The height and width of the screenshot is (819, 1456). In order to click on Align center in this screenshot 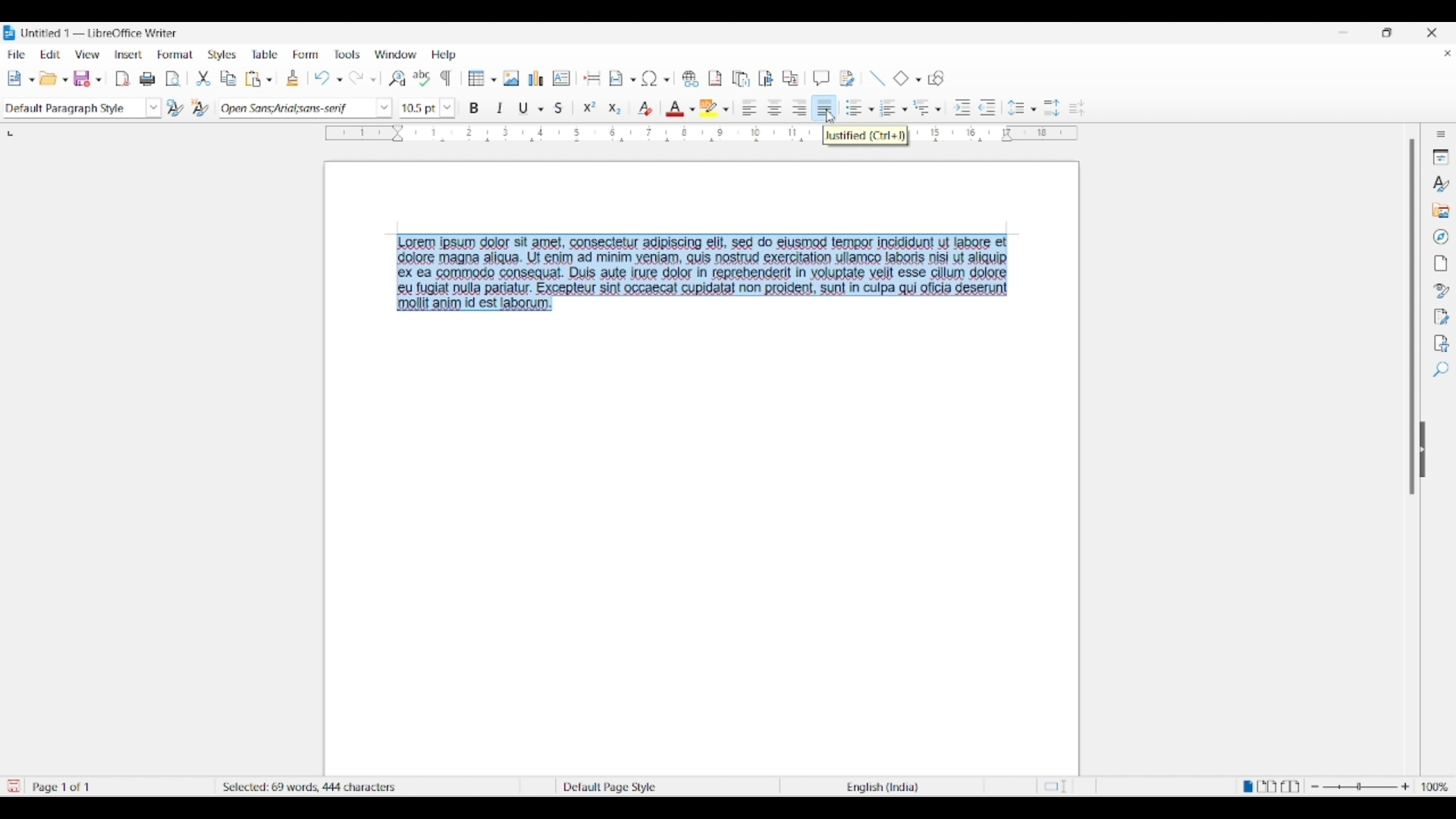, I will do `click(774, 108)`.